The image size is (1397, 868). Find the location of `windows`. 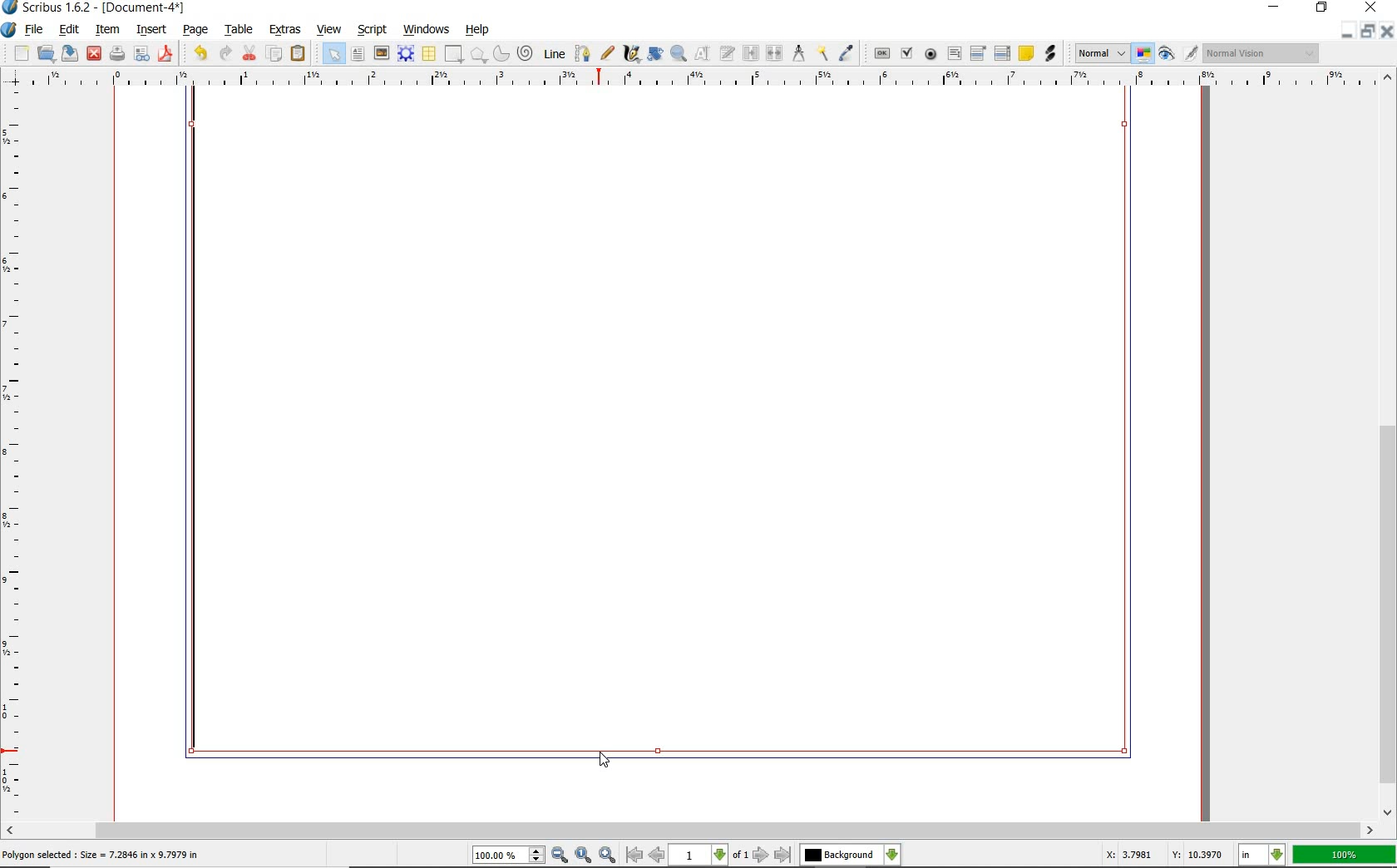

windows is located at coordinates (426, 29).